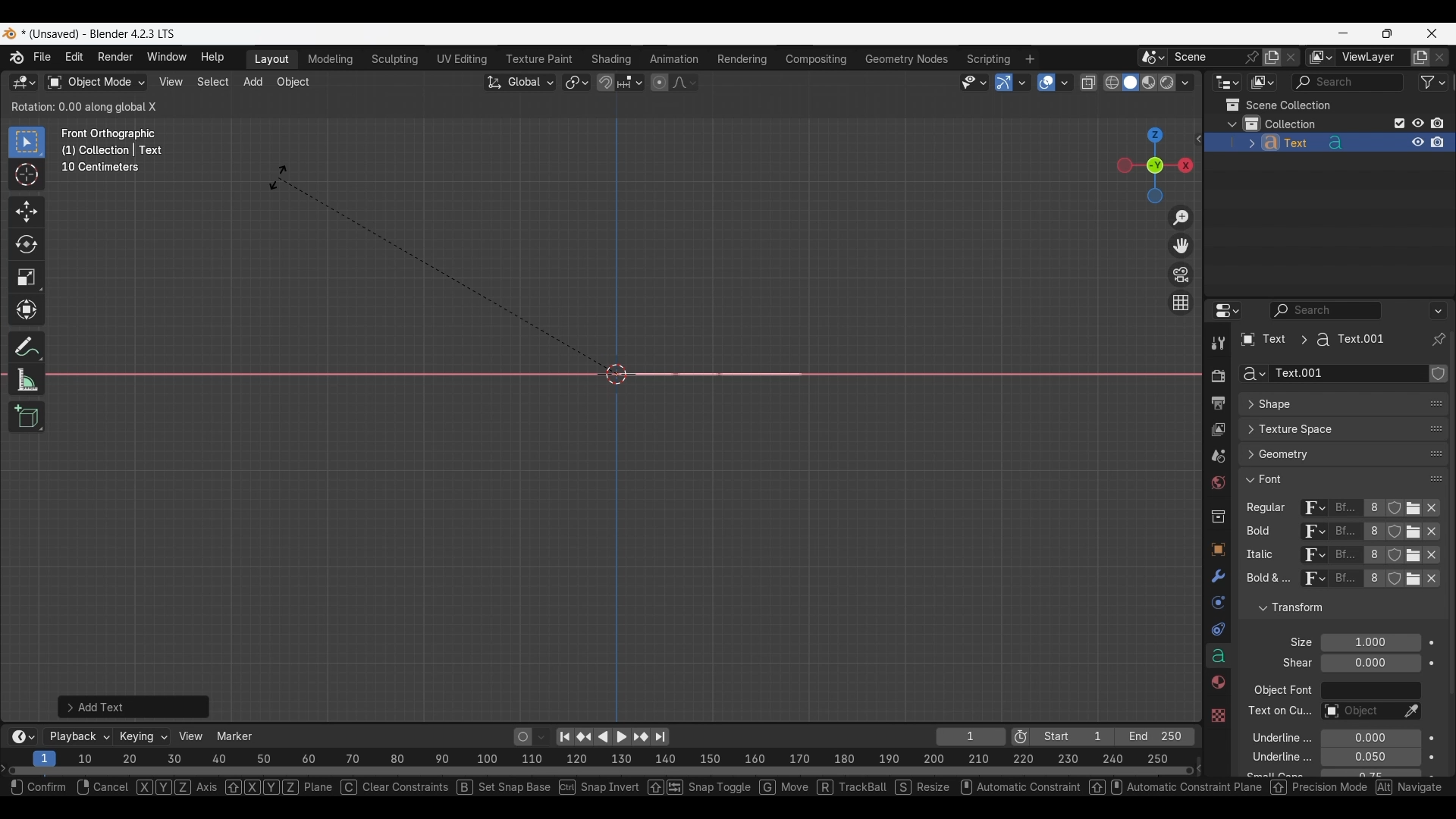  What do you see at coordinates (446, 265) in the screenshot?
I see `Rotation tool` at bounding box center [446, 265].